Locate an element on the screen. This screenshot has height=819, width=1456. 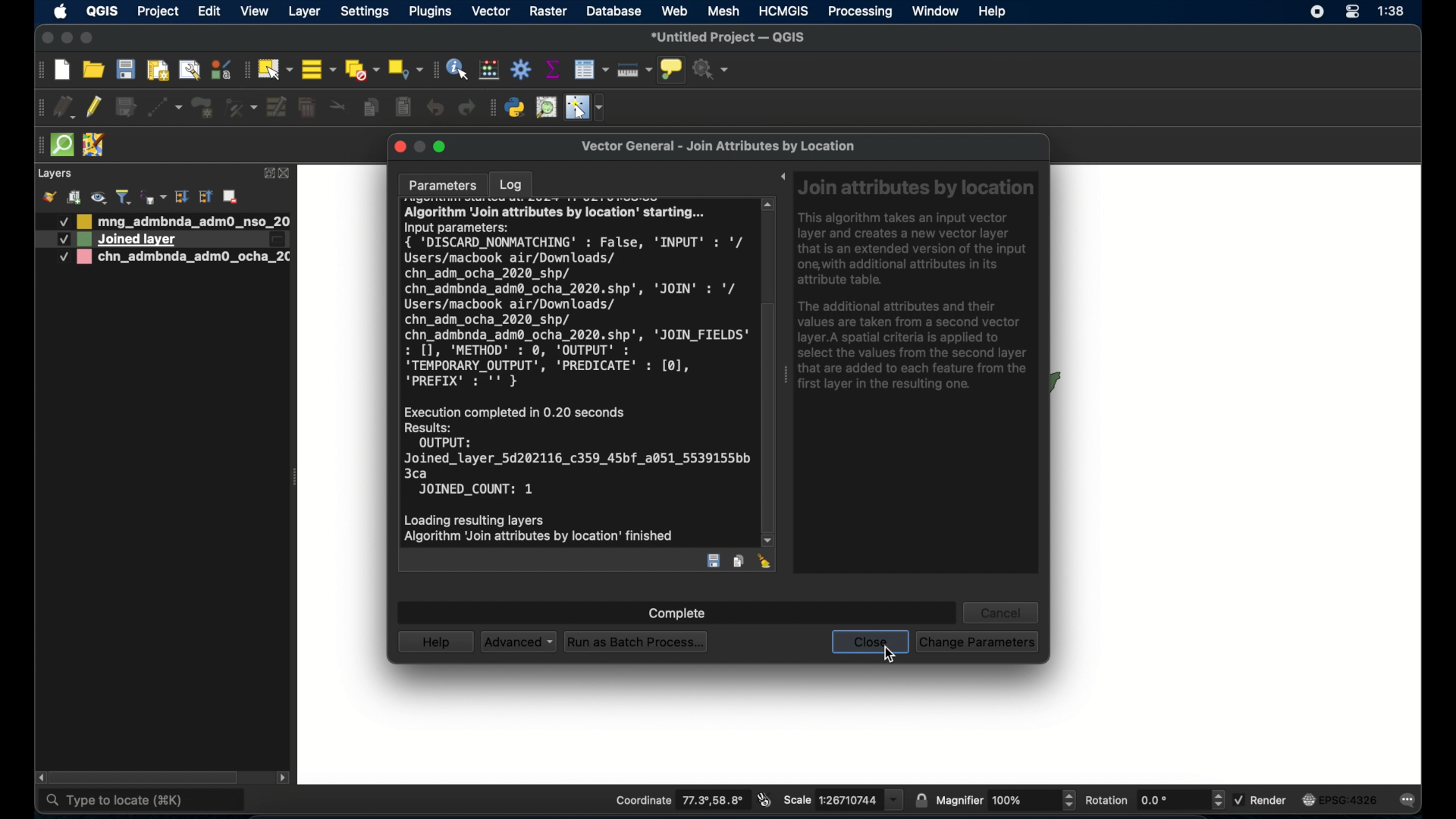
open layer styling panel is located at coordinates (49, 197).